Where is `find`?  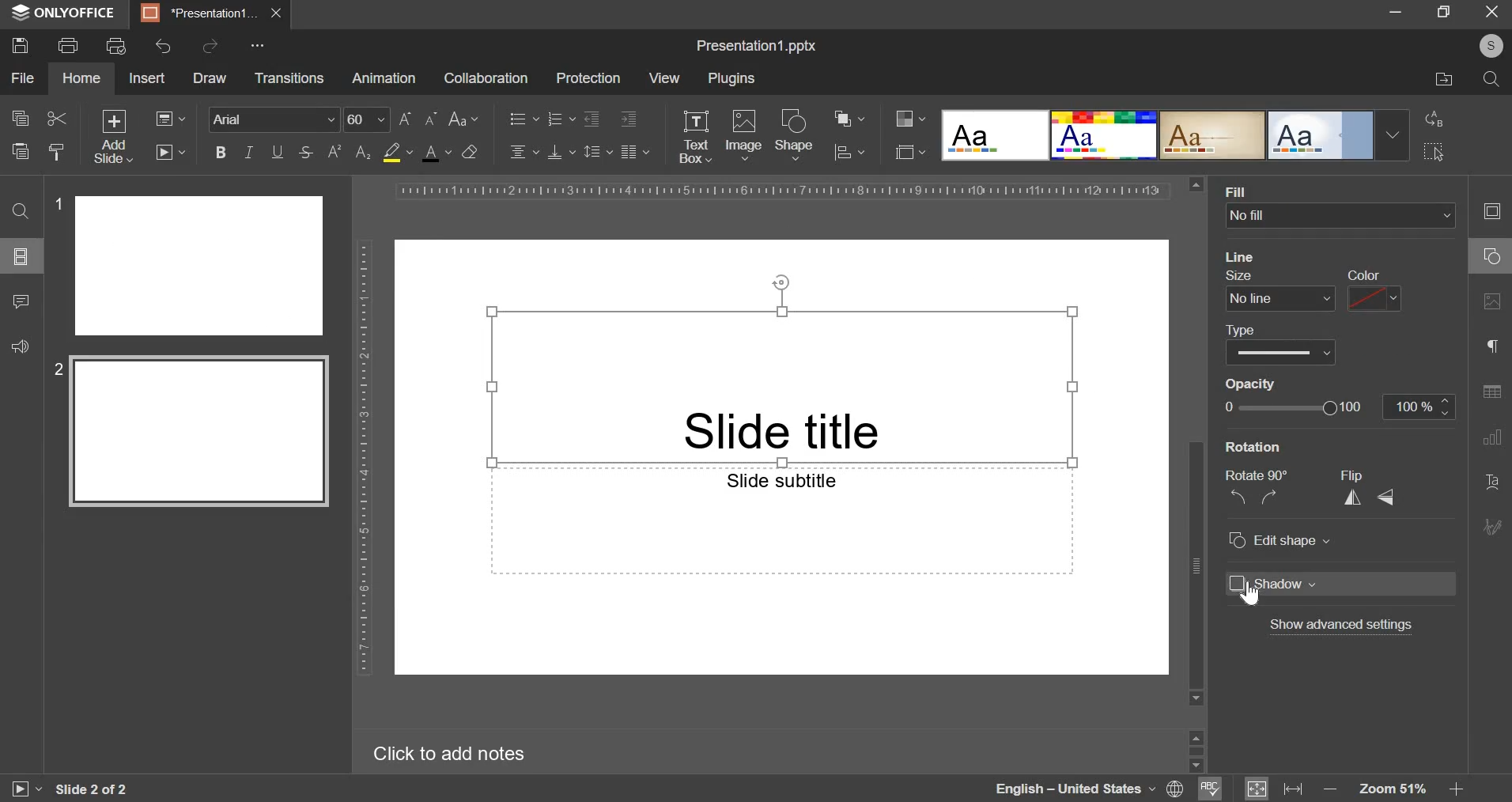
find is located at coordinates (20, 210).